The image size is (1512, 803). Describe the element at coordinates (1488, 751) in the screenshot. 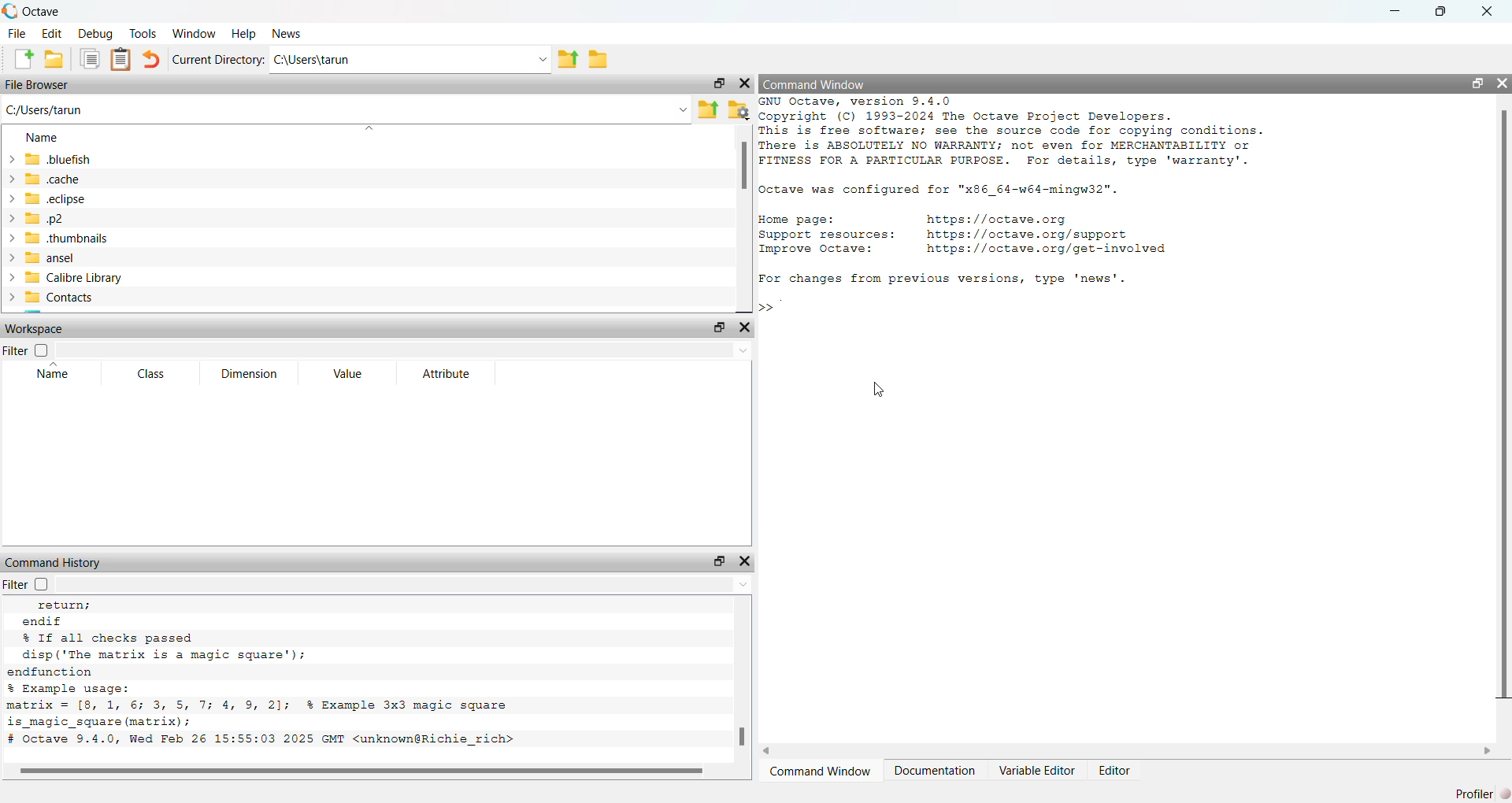

I see `scroll right` at that location.